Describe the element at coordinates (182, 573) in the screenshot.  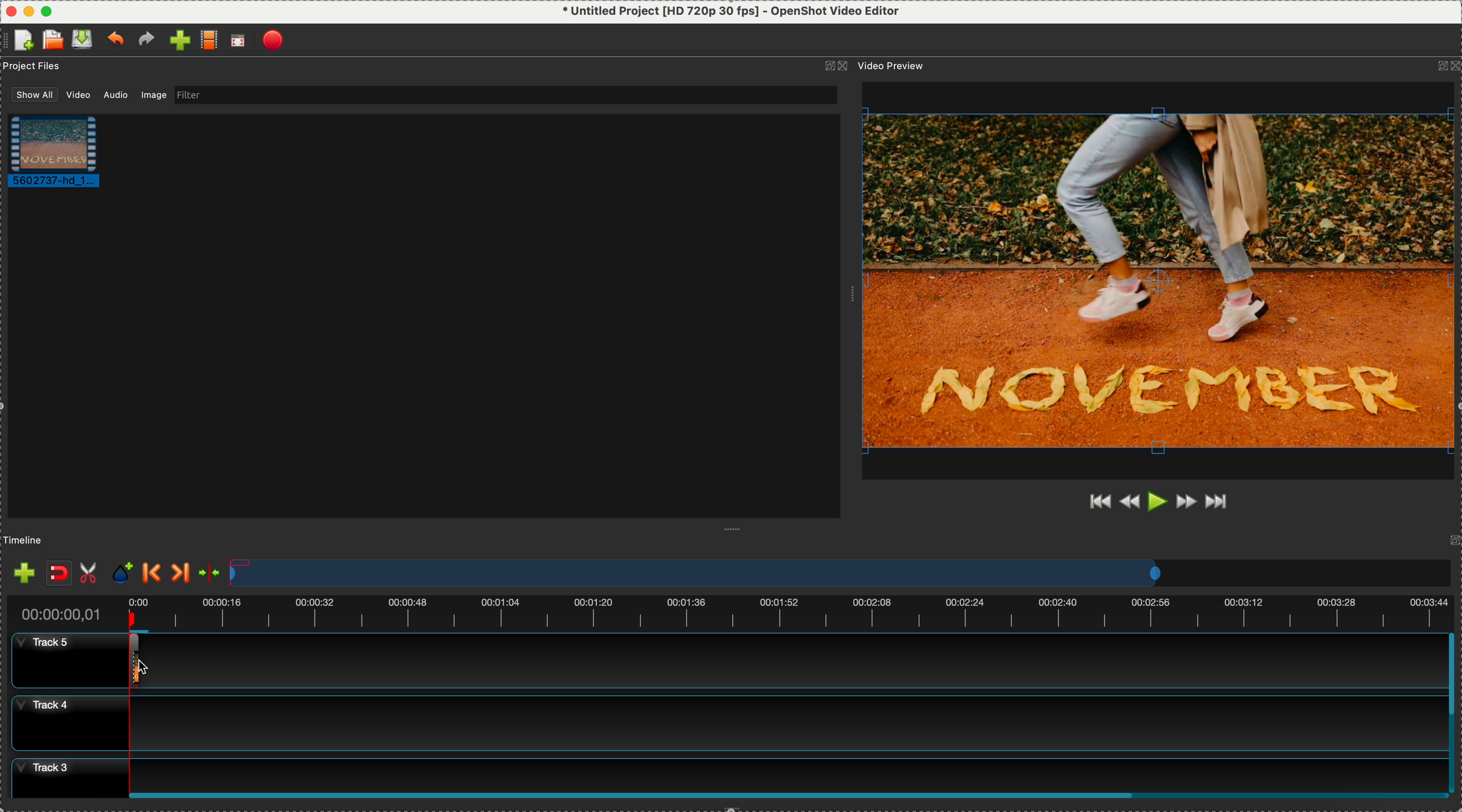
I see `next marker` at that location.